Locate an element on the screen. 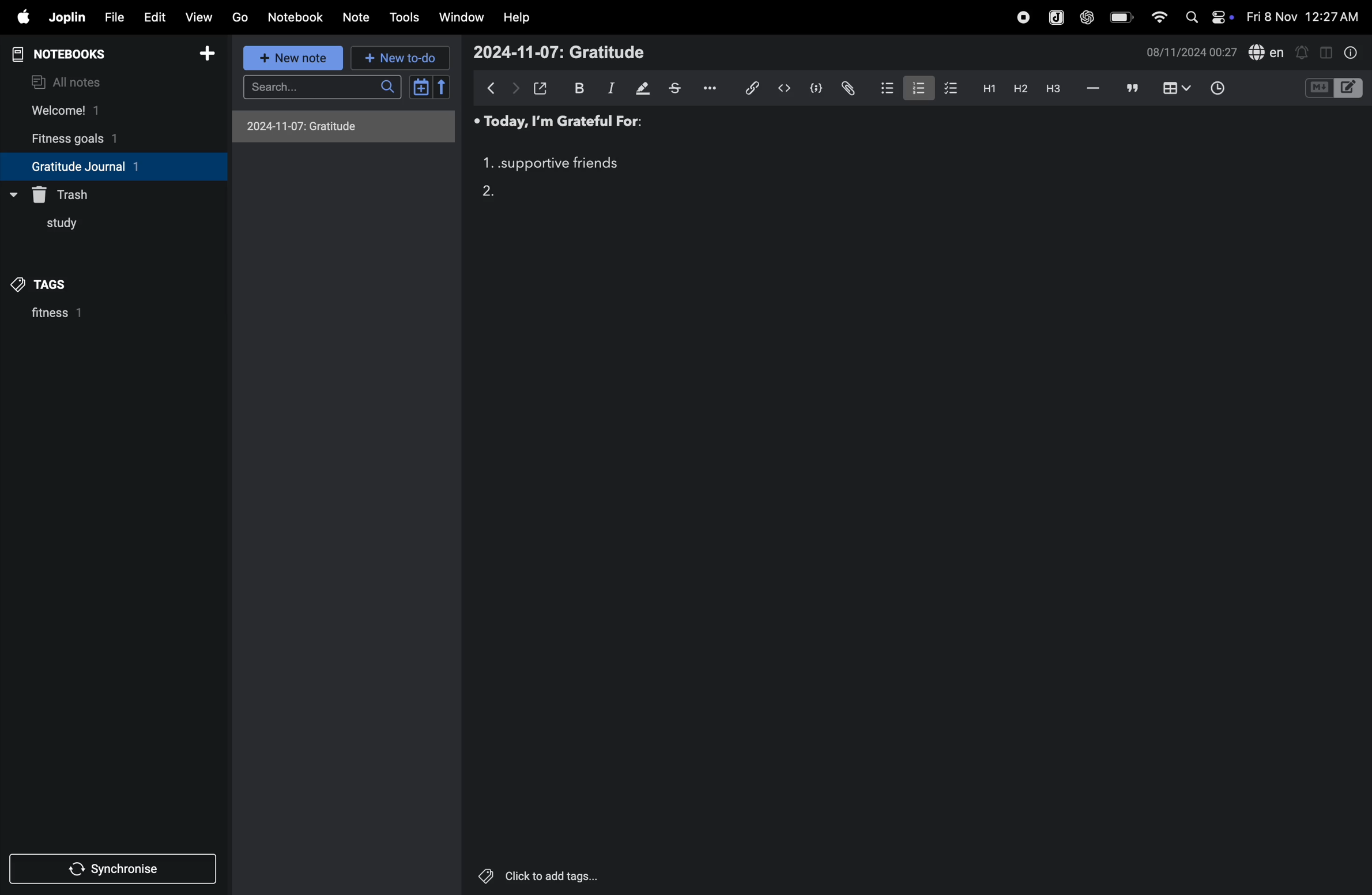 This screenshot has height=895, width=1372. insert time is located at coordinates (1215, 89).